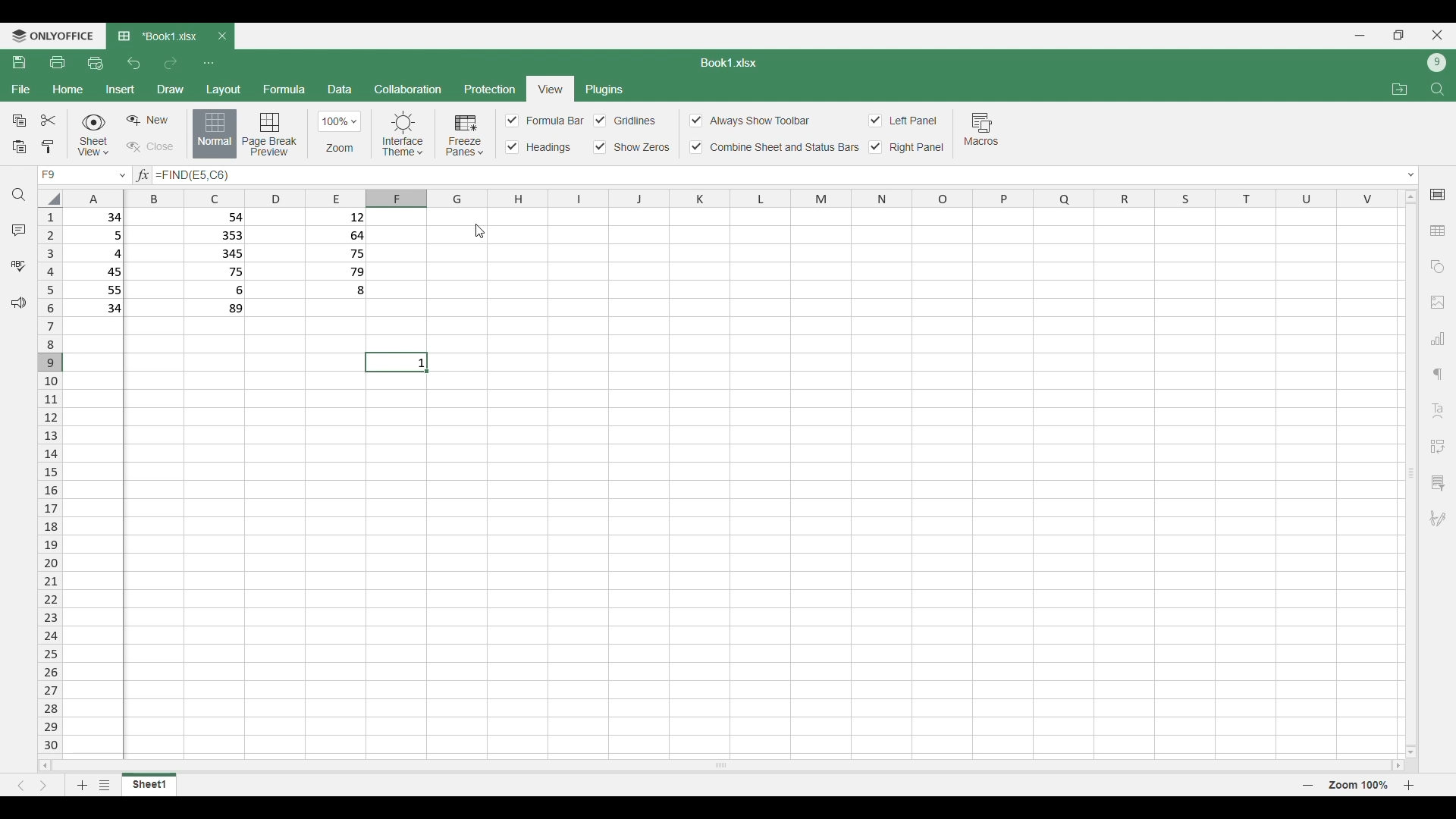  I want to click on List of sheets, so click(106, 784).